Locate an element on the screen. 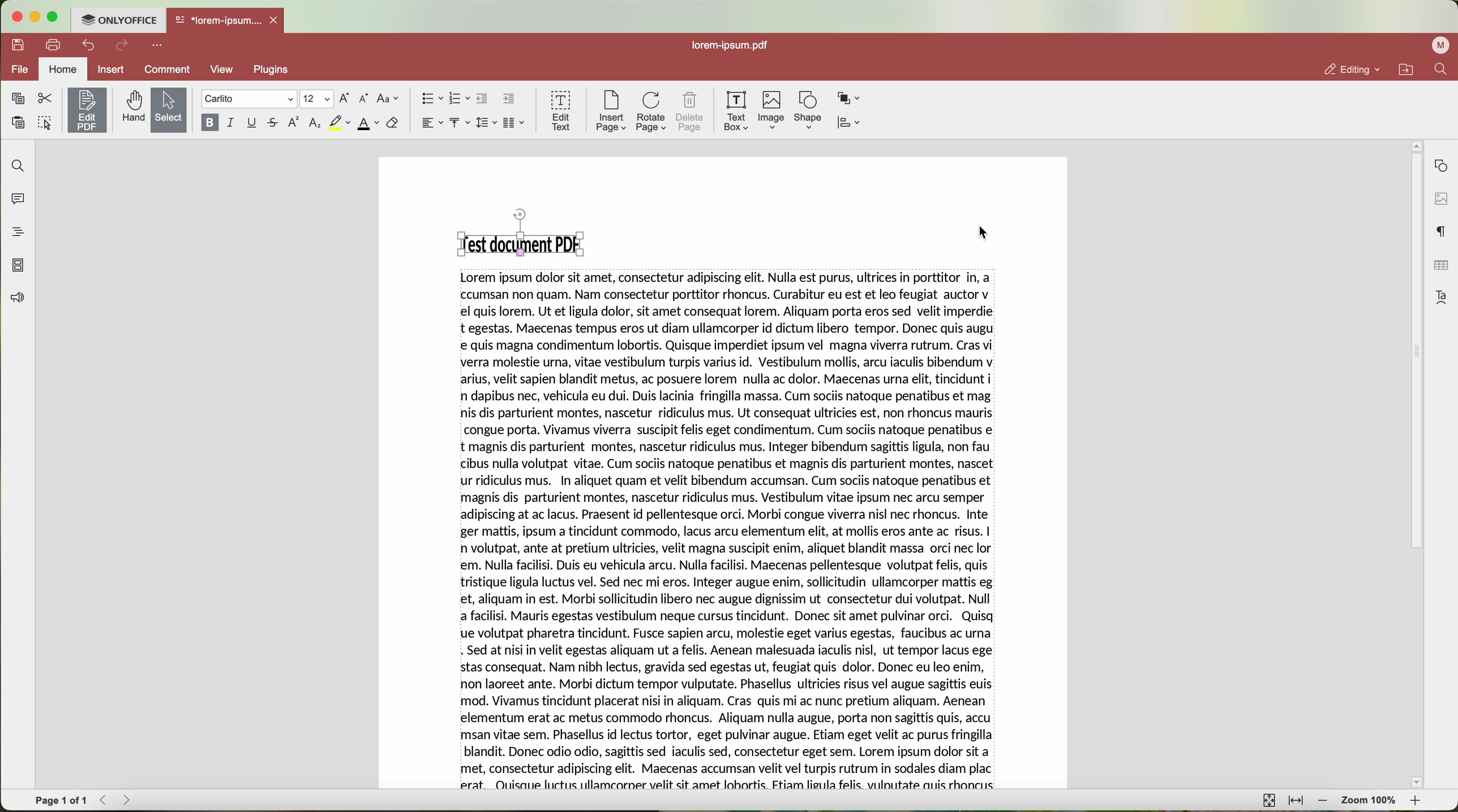  change case is located at coordinates (389, 98).